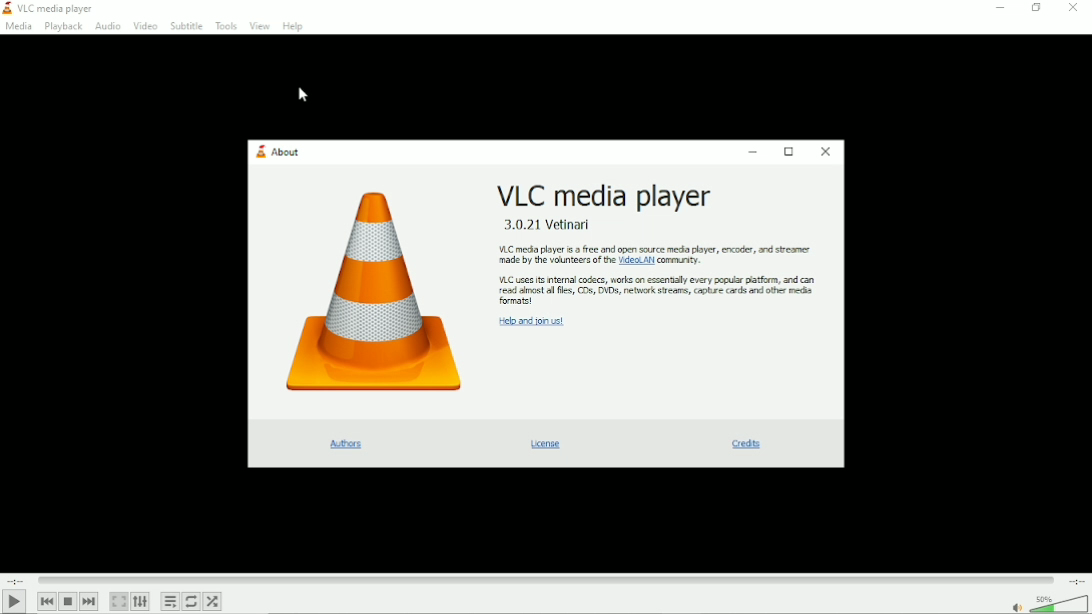 The image size is (1092, 614). I want to click on mute, so click(1019, 607).